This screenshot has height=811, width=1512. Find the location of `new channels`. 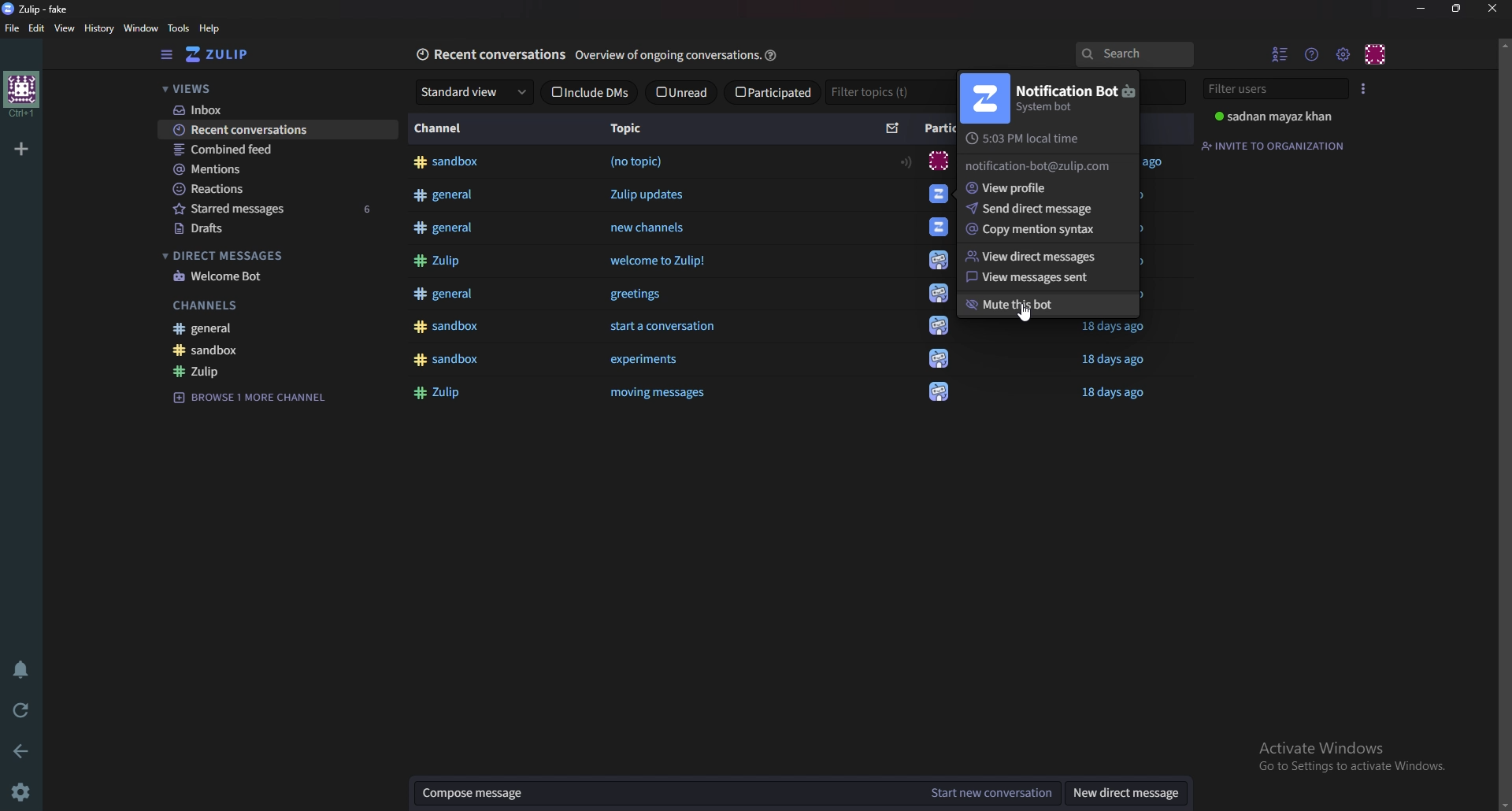

new channels is located at coordinates (651, 227).